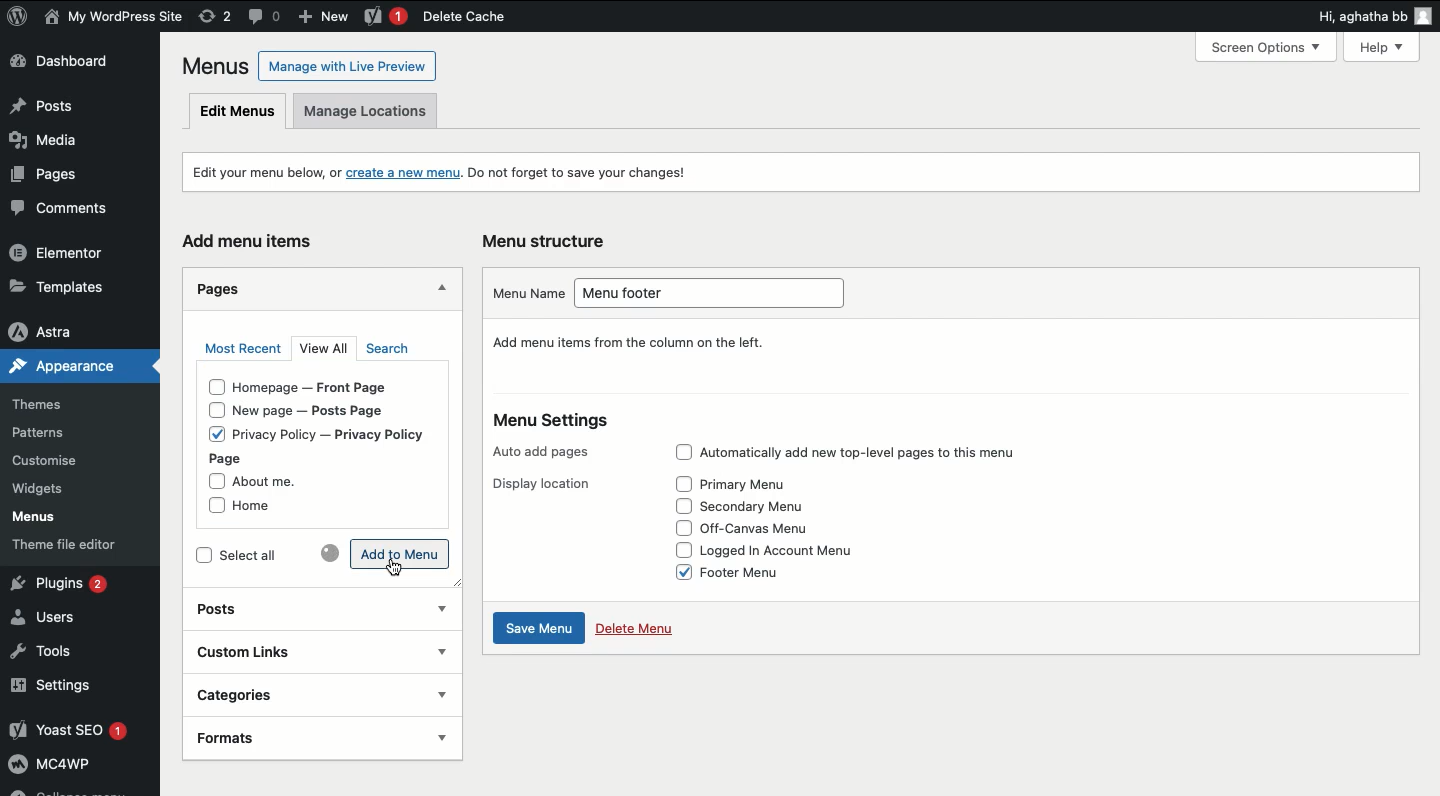 The height and width of the screenshot is (796, 1440). I want to click on cursor, so click(403, 570).